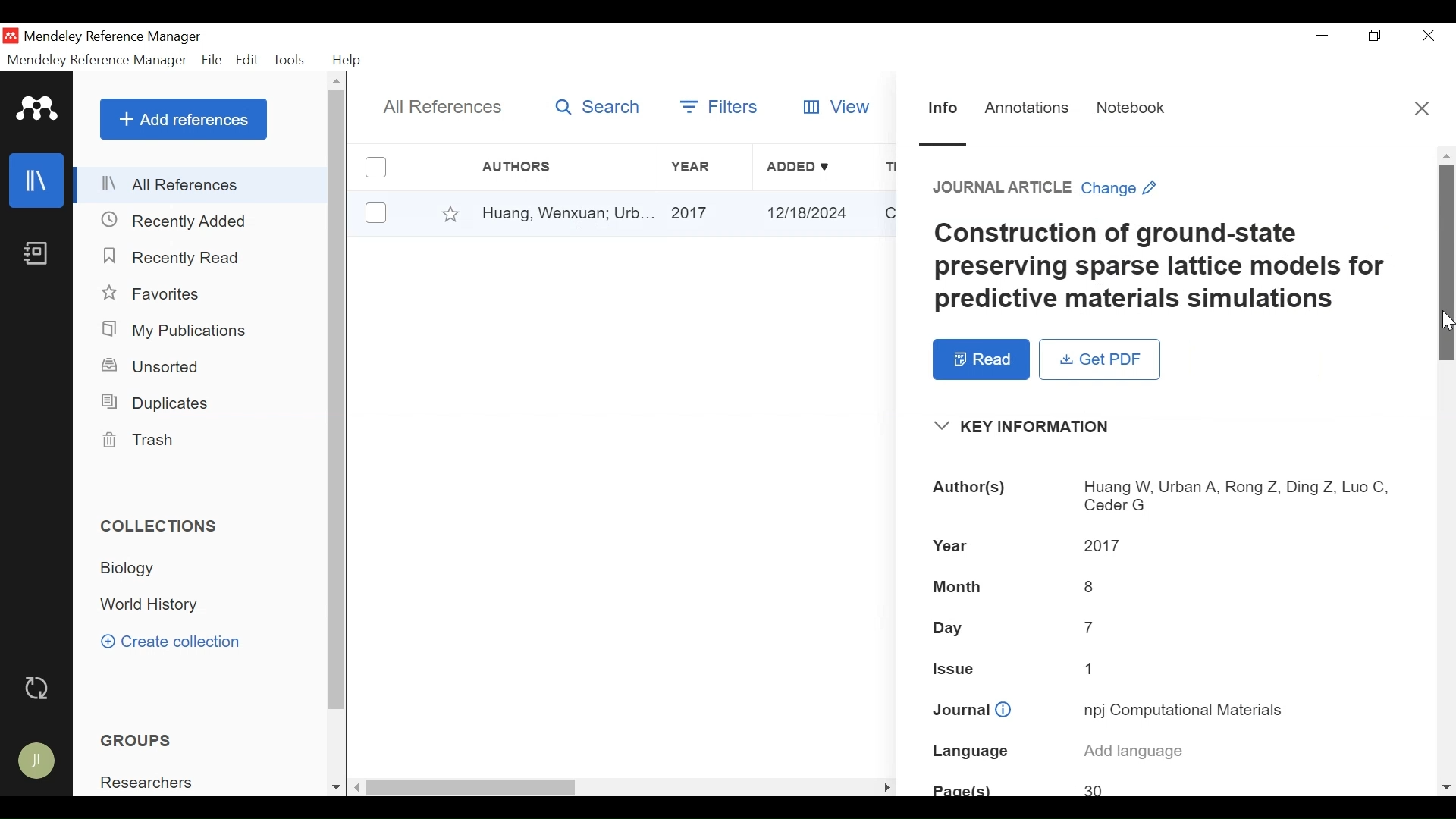 The height and width of the screenshot is (819, 1456). I want to click on Language, so click(971, 752).